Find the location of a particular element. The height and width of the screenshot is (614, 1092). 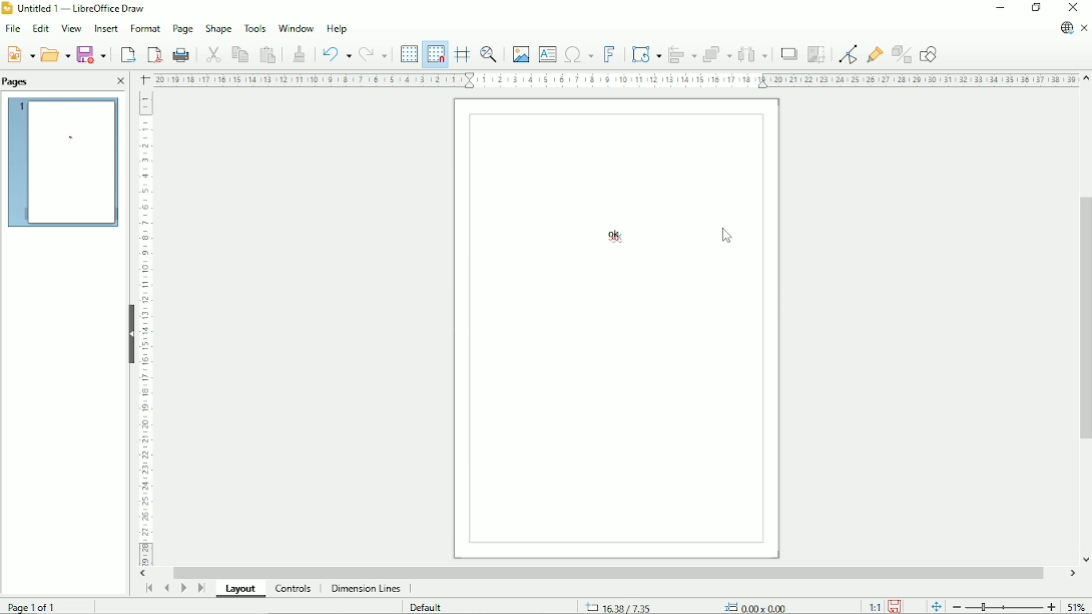

Tools is located at coordinates (254, 28).